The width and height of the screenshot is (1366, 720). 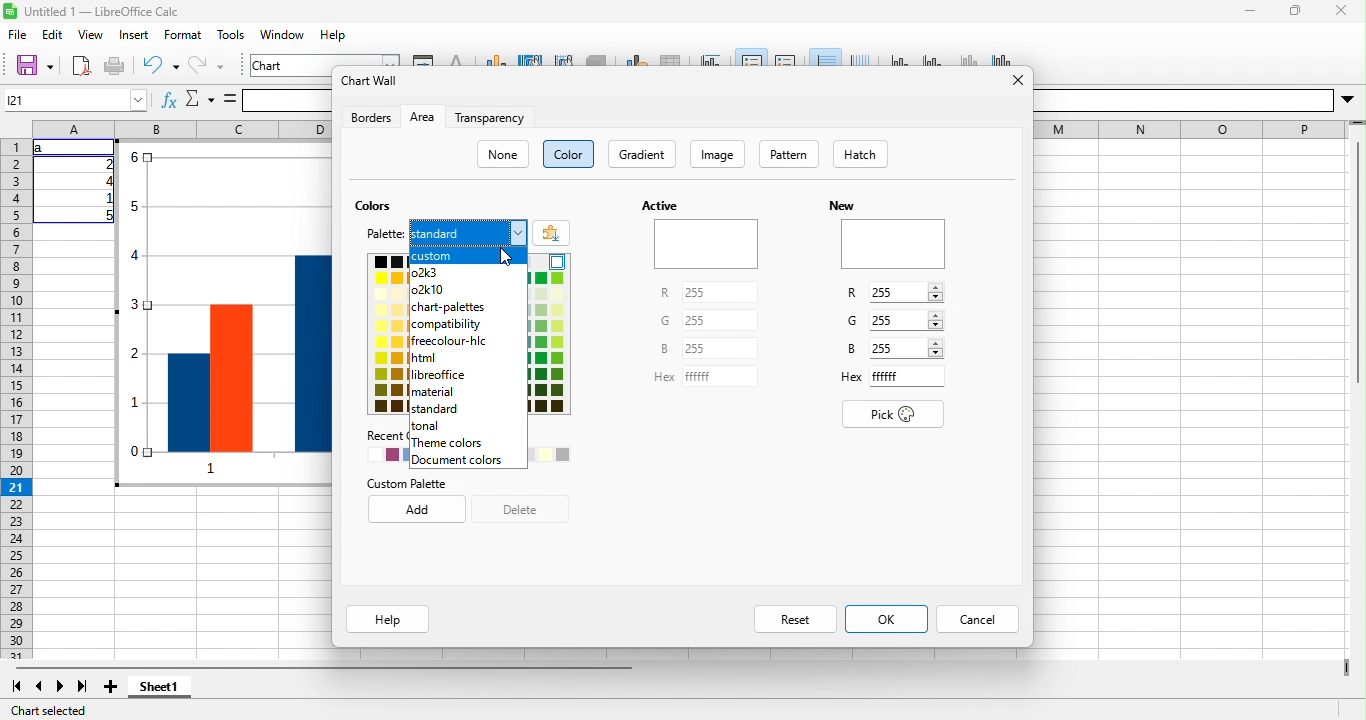 I want to click on data table, so click(x=671, y=59).